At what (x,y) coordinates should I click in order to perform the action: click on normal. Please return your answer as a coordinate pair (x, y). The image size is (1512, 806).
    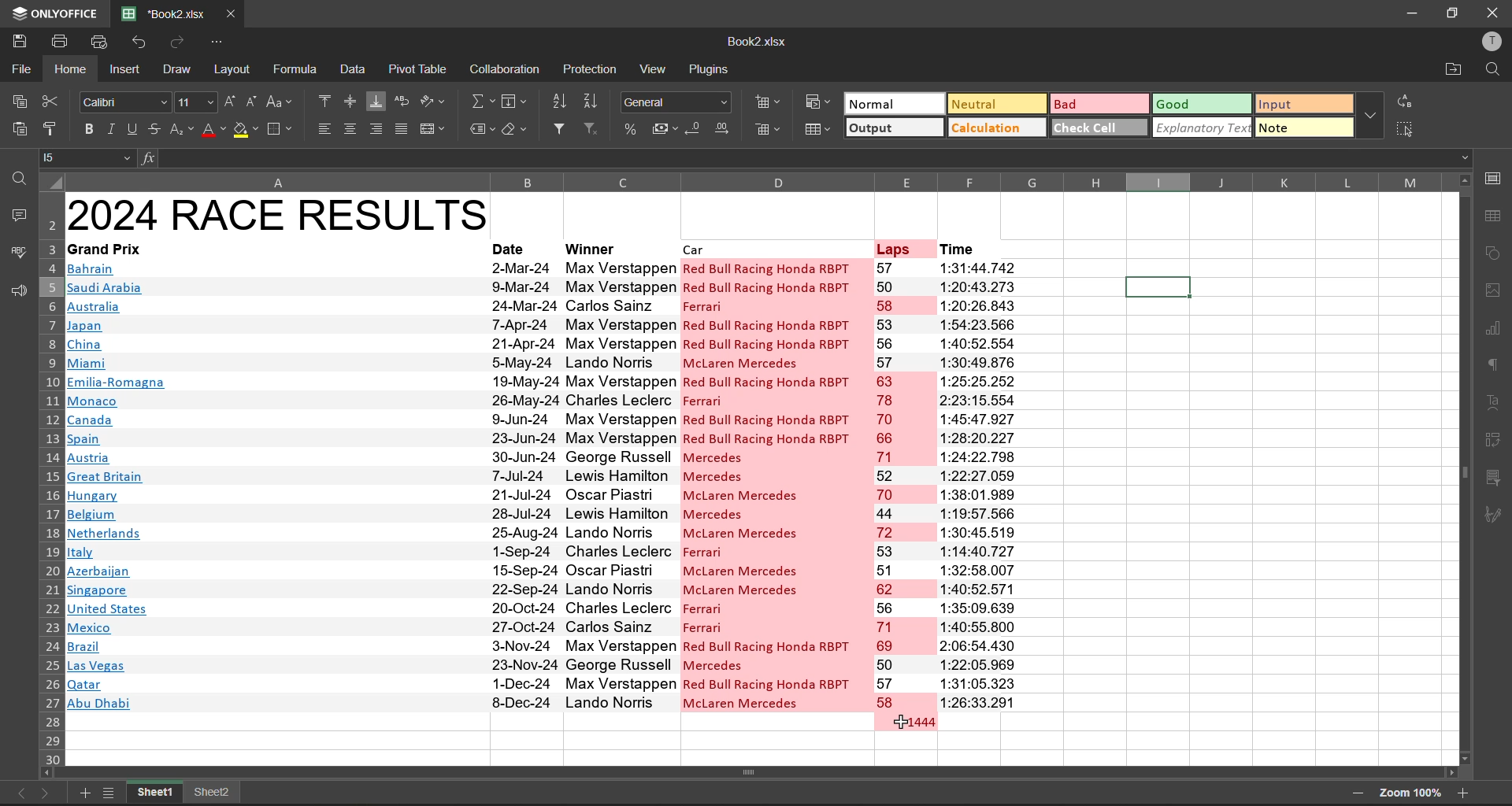
    Looking at the image, I should click on (895, 104).